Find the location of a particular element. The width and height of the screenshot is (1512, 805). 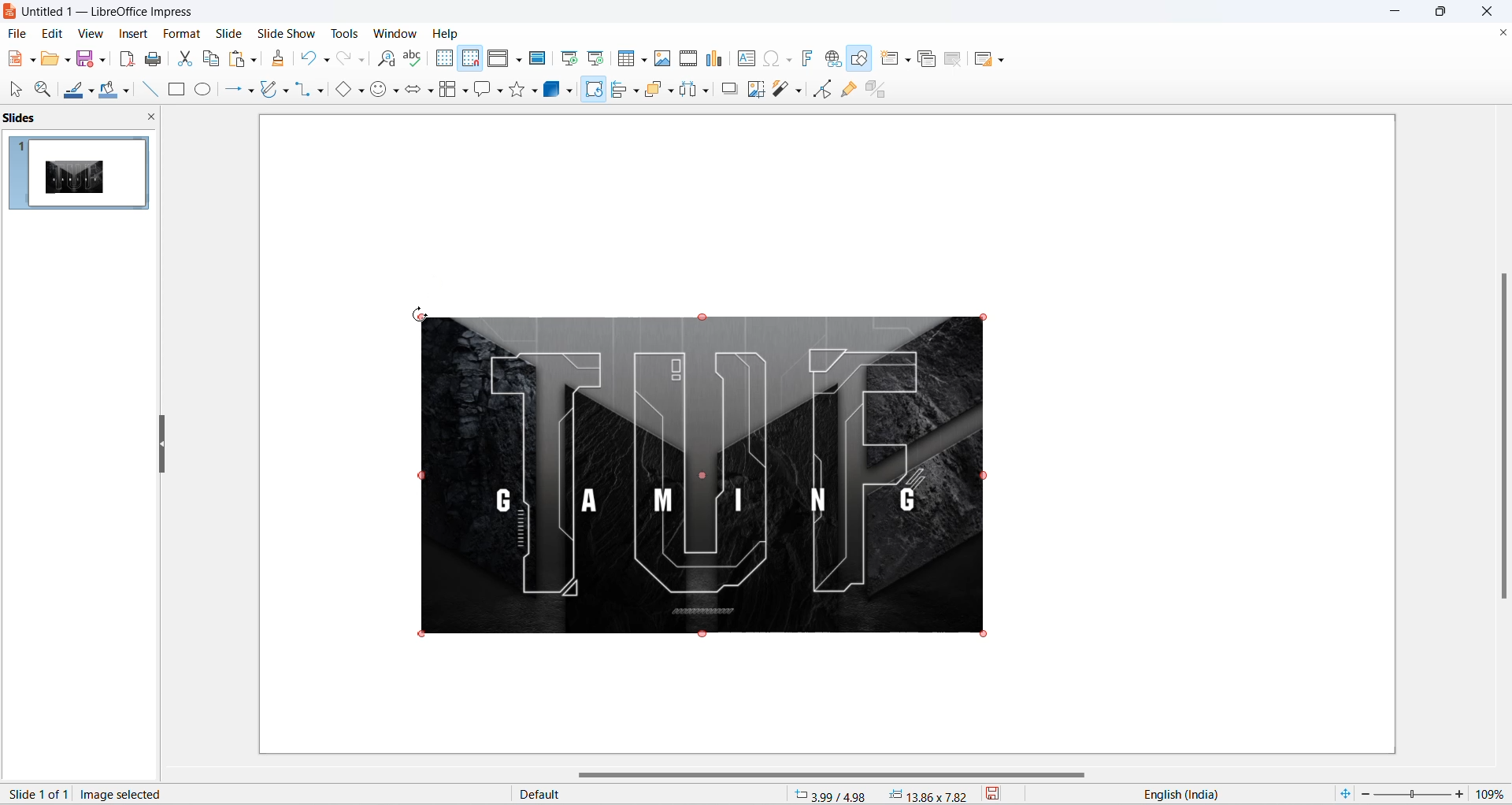

save is located at coordinates (1003, 796).